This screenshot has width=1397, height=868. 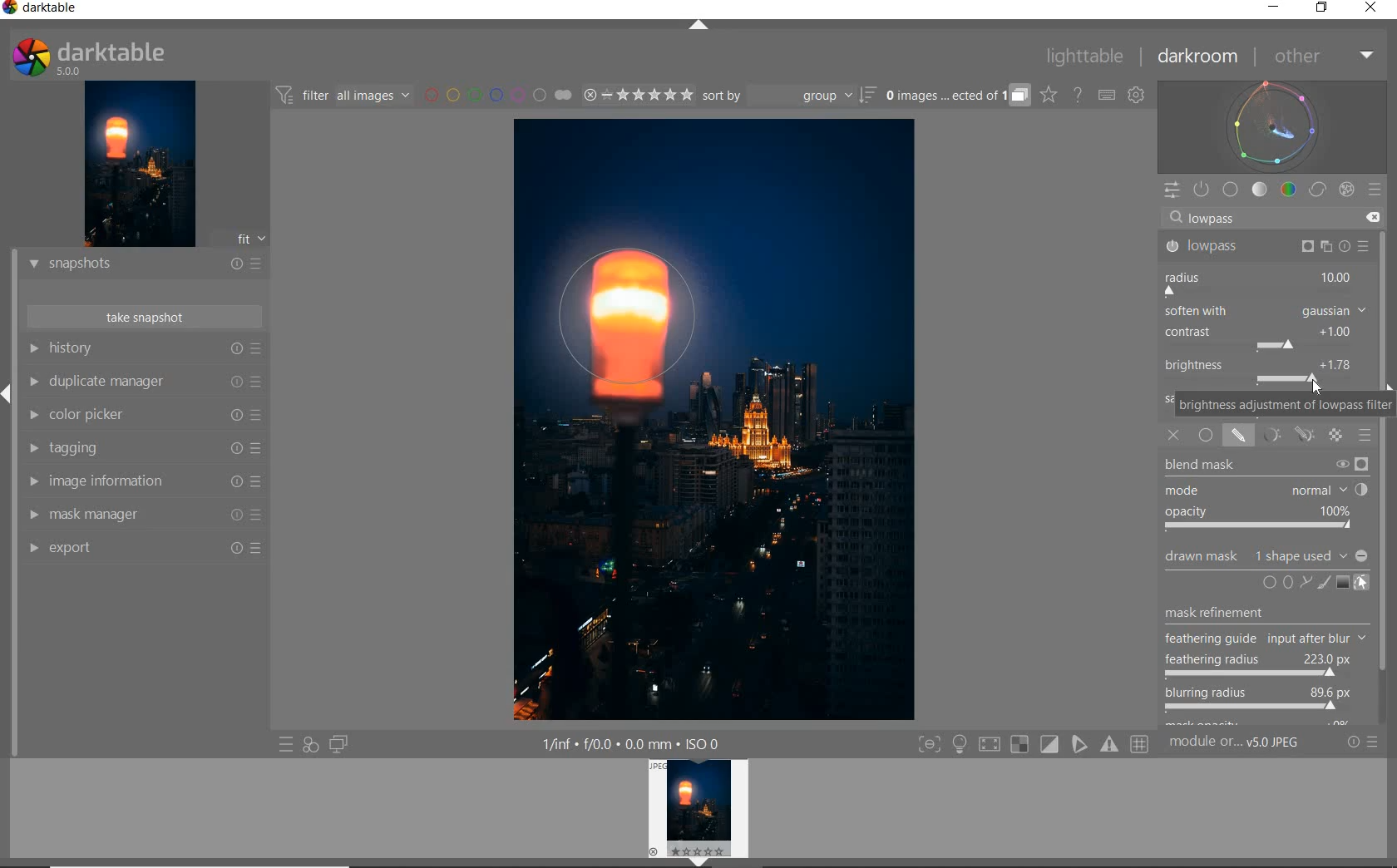 I want to click on ADD GRADIENT, so click(x=1341, y=583).